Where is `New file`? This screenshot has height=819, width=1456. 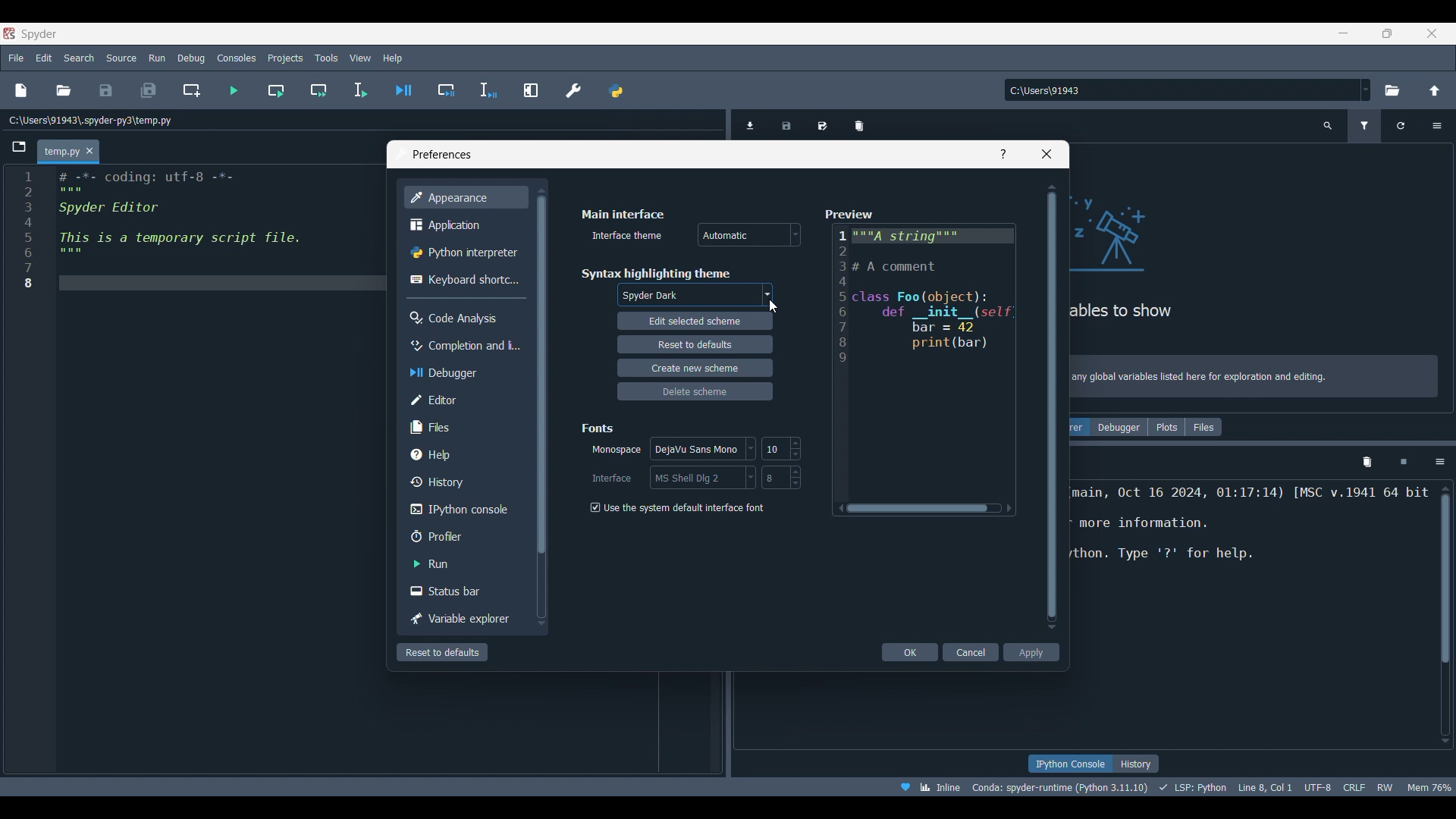 New file is located at coordinates (21, 90).